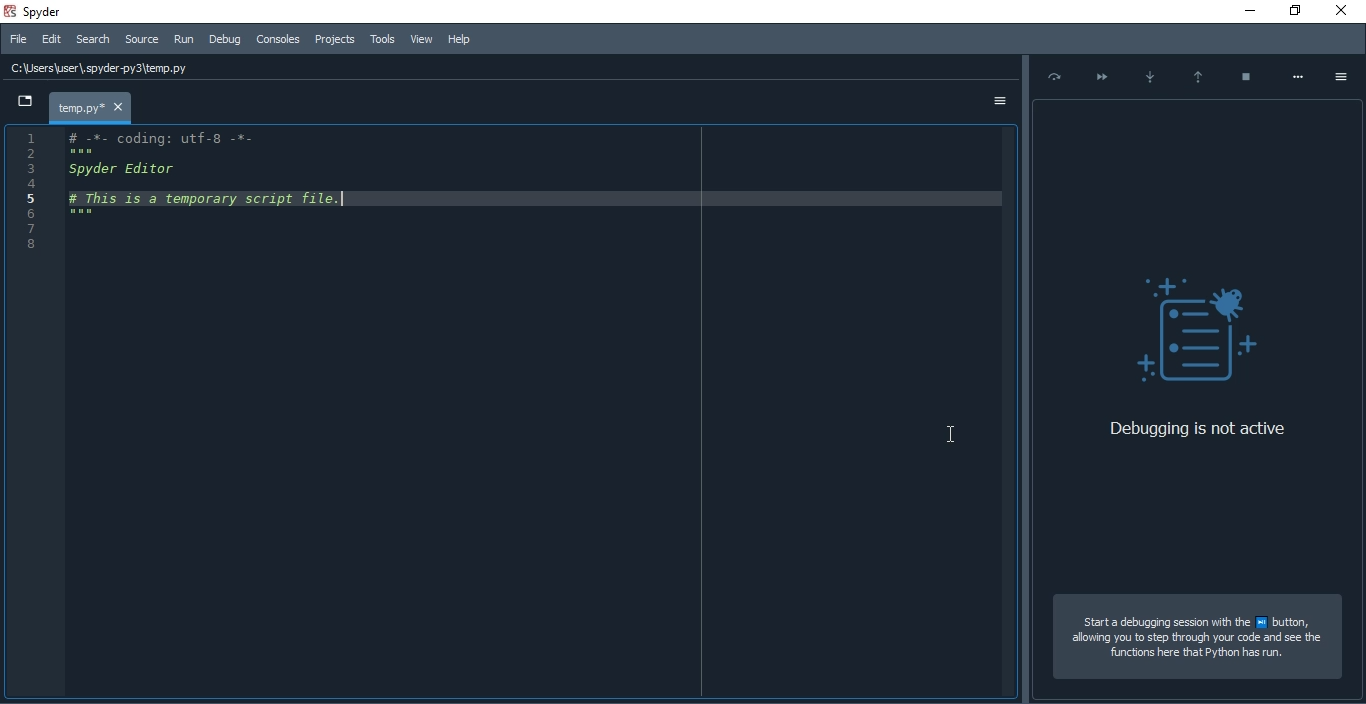 The width and height of the screenshot is (1366, 704). Describe the element at coordinates (237, 180) in the screenshot. I see `# -%- coding: utT-8@ -%-
Spyder Editor
# This is a temporary script file.|` at that location.